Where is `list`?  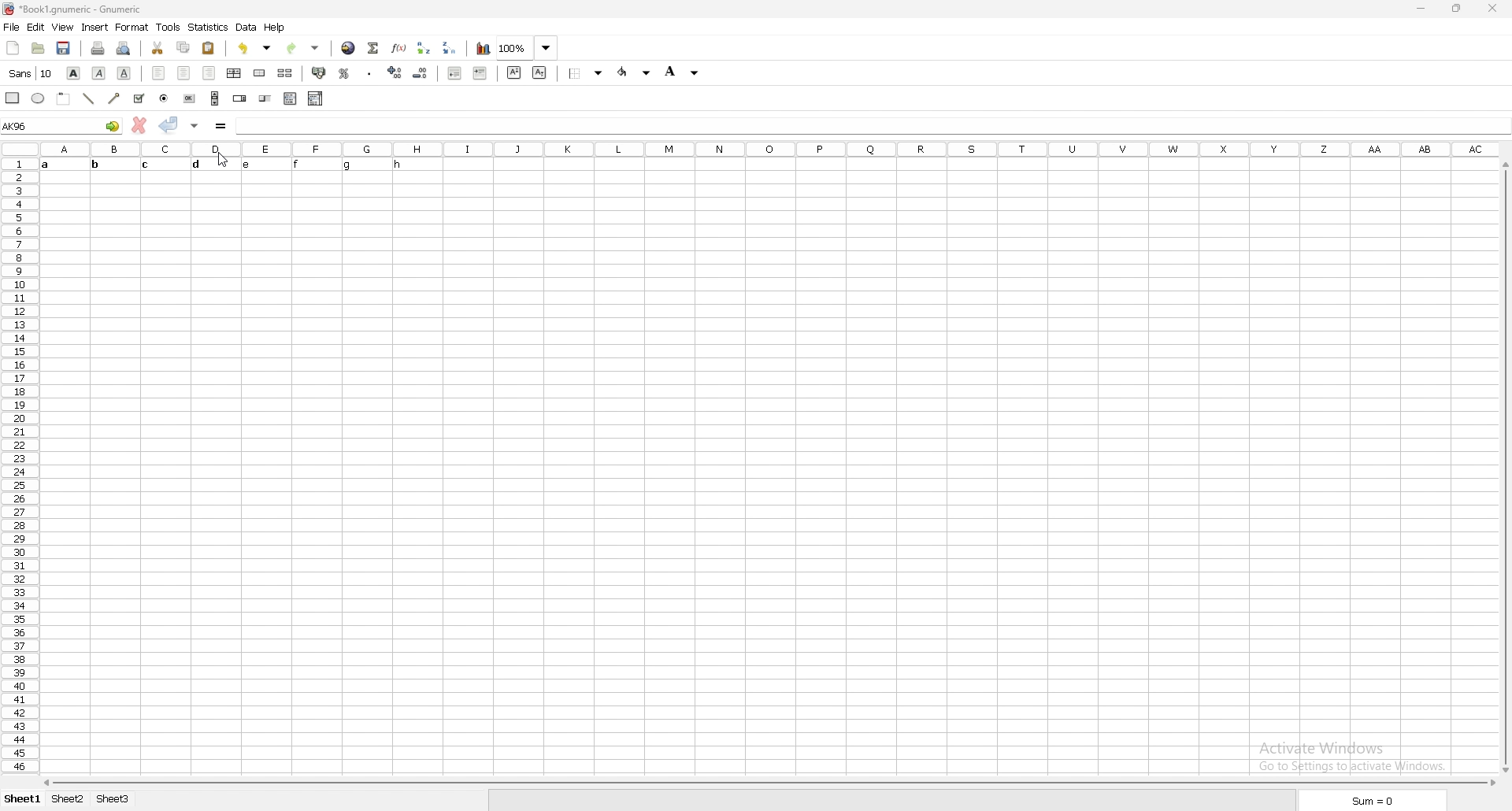
list is located at coordinates (291, 98).